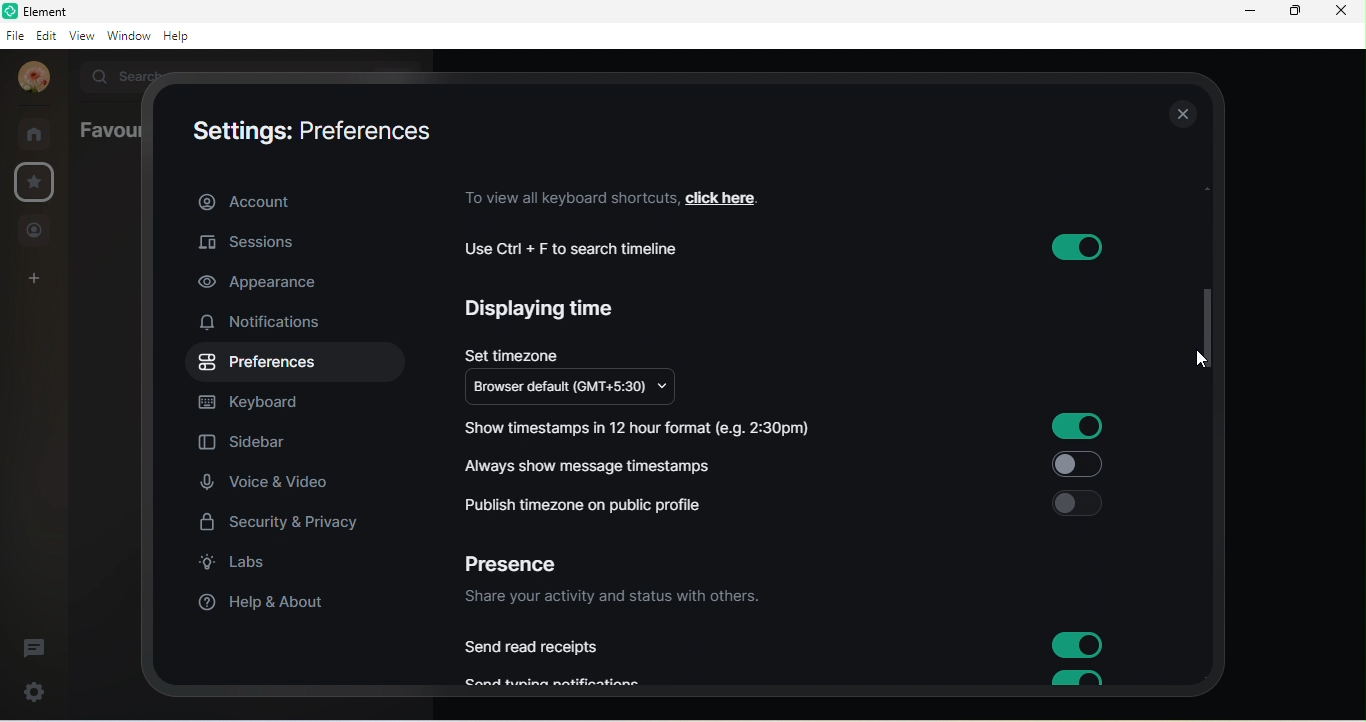 This screenshot has height=722, width=1366. What do you see at coordinates (282, 522) in the screenshot?
I see `security and privacy` at bounding box center [282, 522].